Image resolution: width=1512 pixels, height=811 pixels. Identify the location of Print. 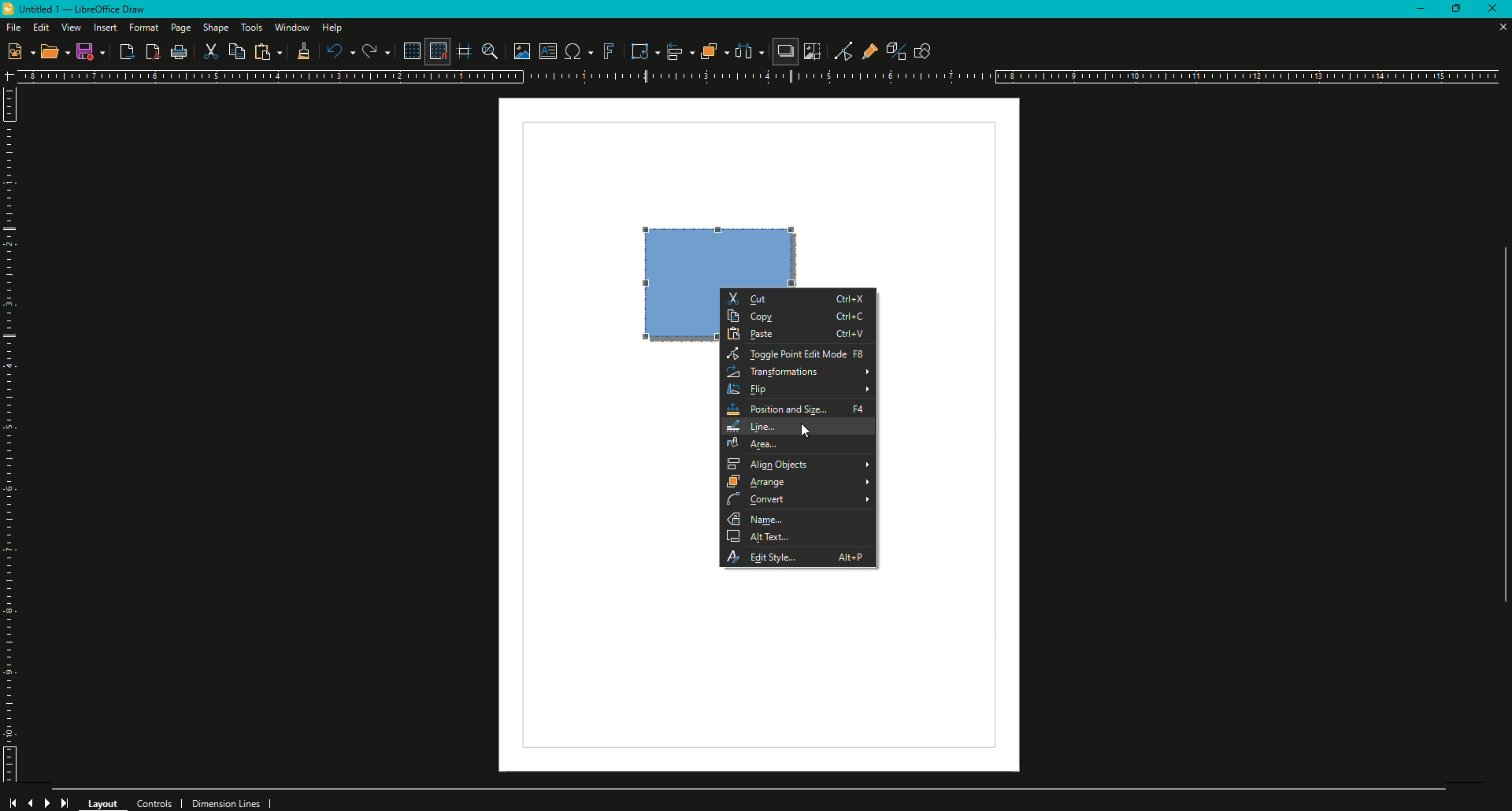
(180, 54).